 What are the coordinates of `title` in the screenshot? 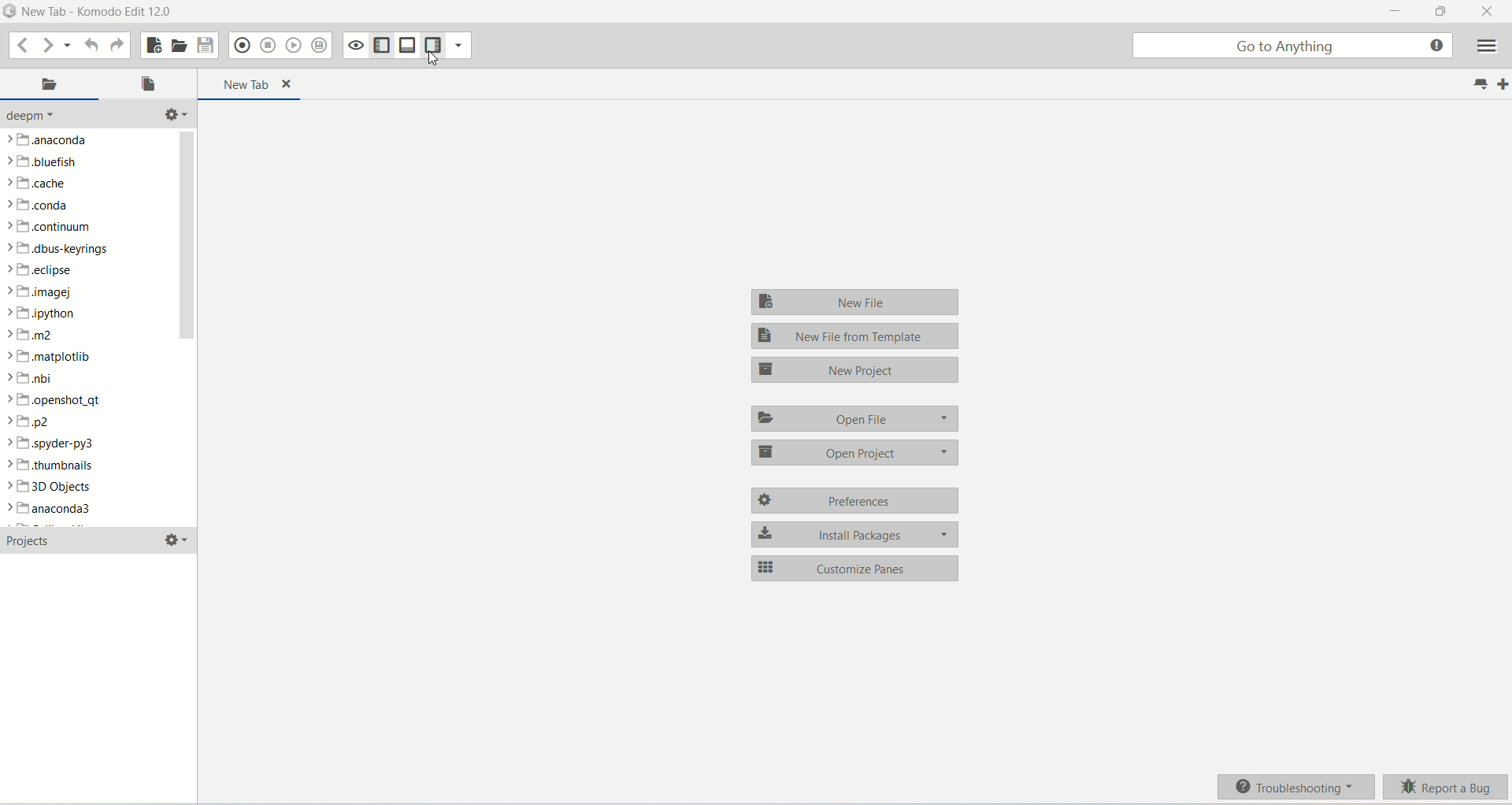 It's located at (97, 11).